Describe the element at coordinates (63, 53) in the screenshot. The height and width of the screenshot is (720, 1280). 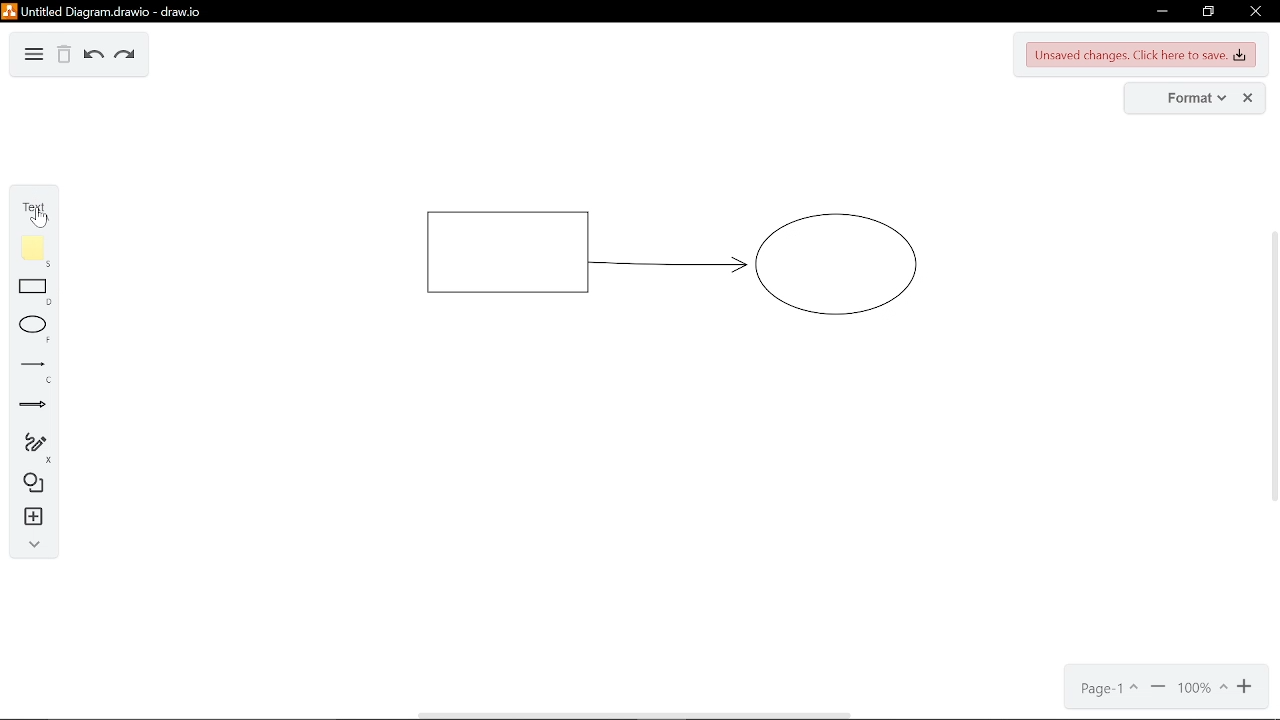
I see `delete` at that location.